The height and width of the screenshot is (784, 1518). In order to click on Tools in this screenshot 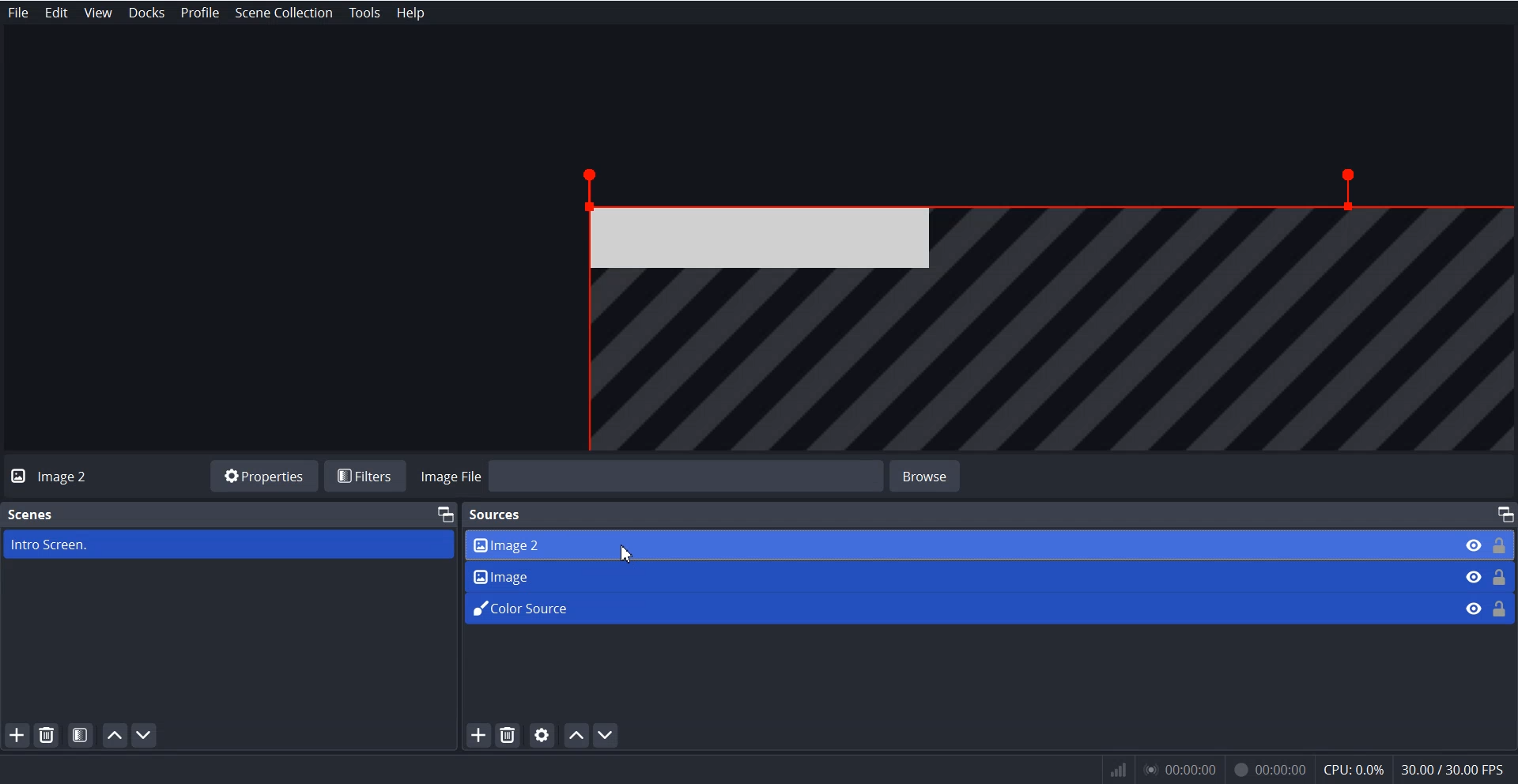, I will do `click(365, 13)`.